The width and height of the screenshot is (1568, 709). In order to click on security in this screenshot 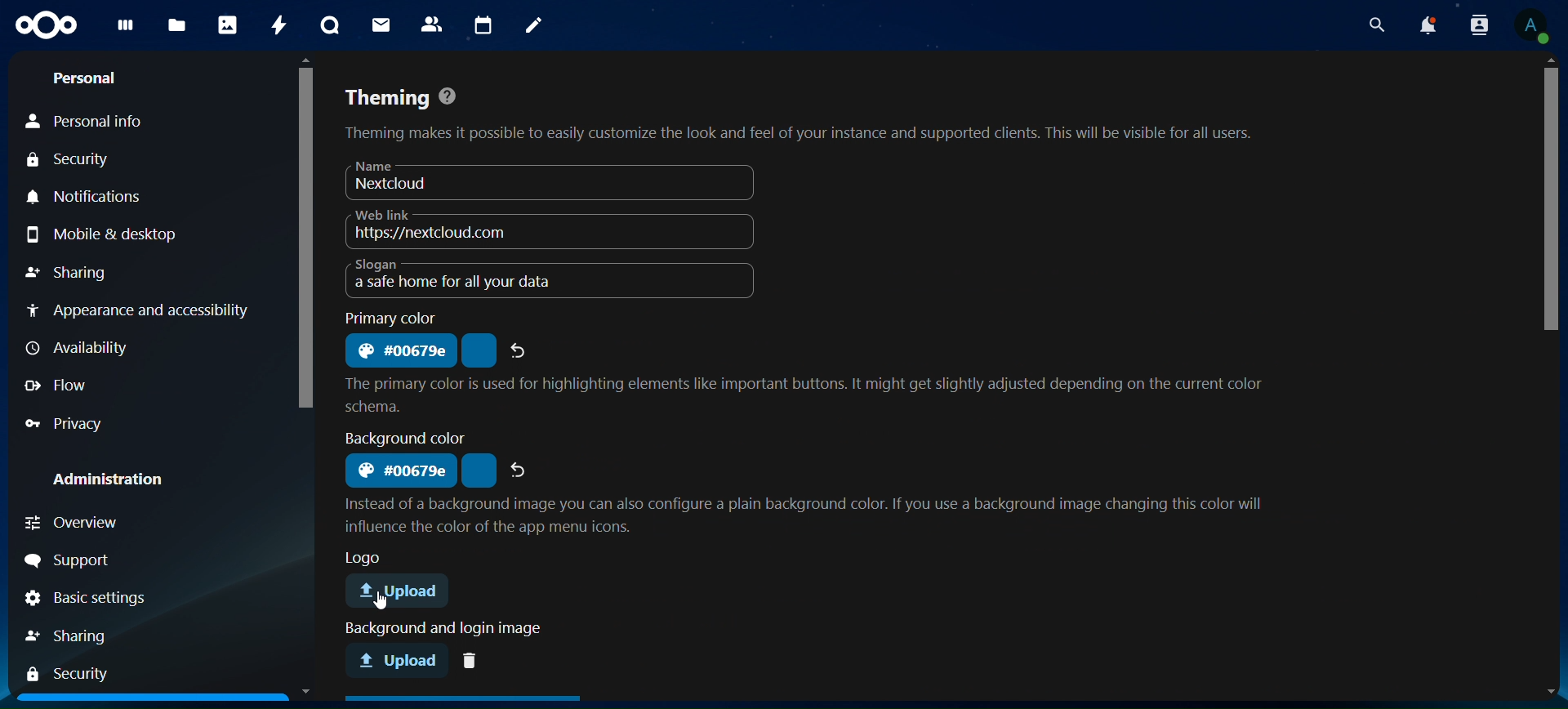, I will do `click(74, 673)`.